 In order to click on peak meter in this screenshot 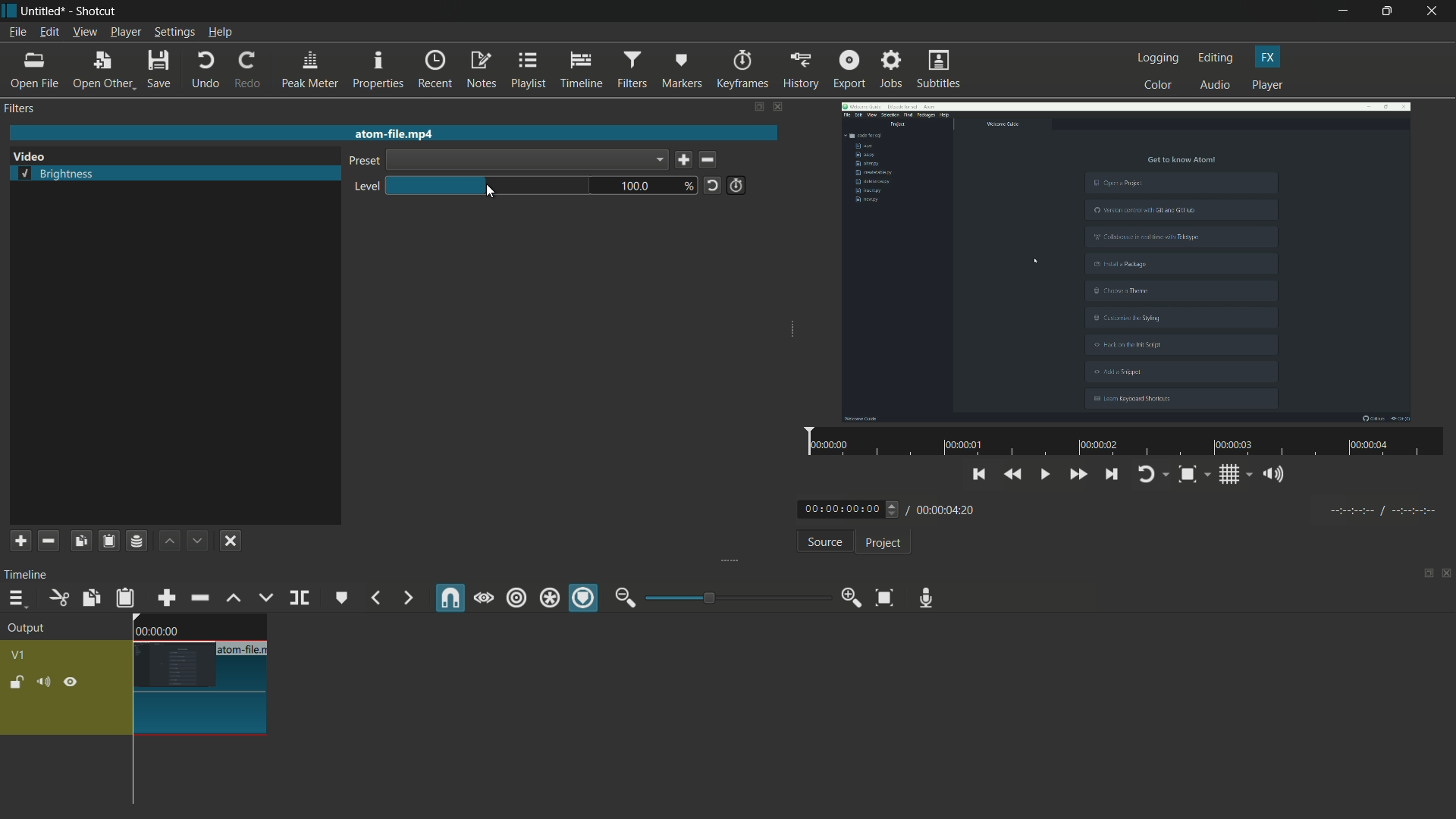, I will do `click(309, 70)`.